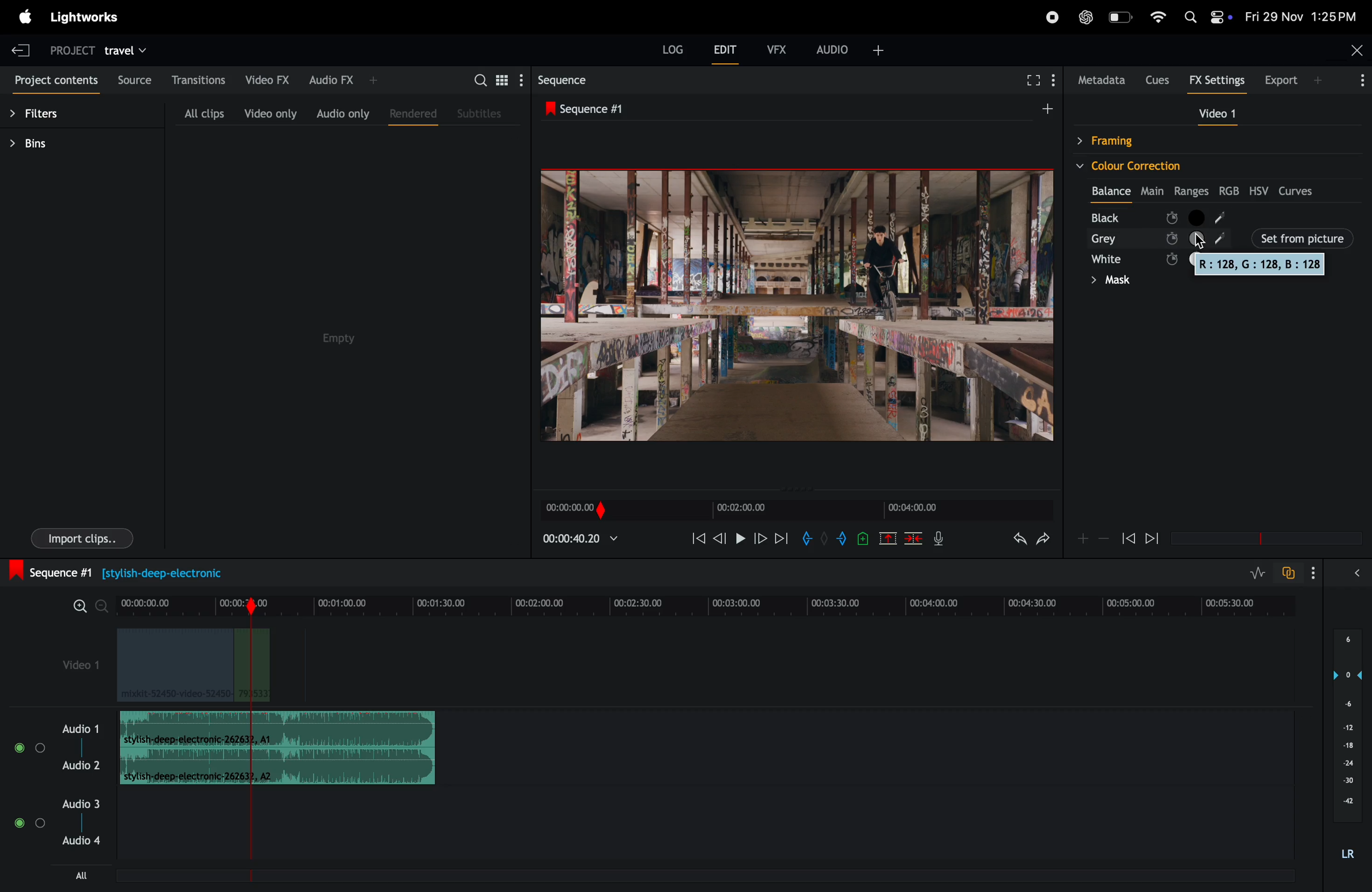 The height and width of the screenshot is (892, 1372). I want to click on video only, so click(270, 114).